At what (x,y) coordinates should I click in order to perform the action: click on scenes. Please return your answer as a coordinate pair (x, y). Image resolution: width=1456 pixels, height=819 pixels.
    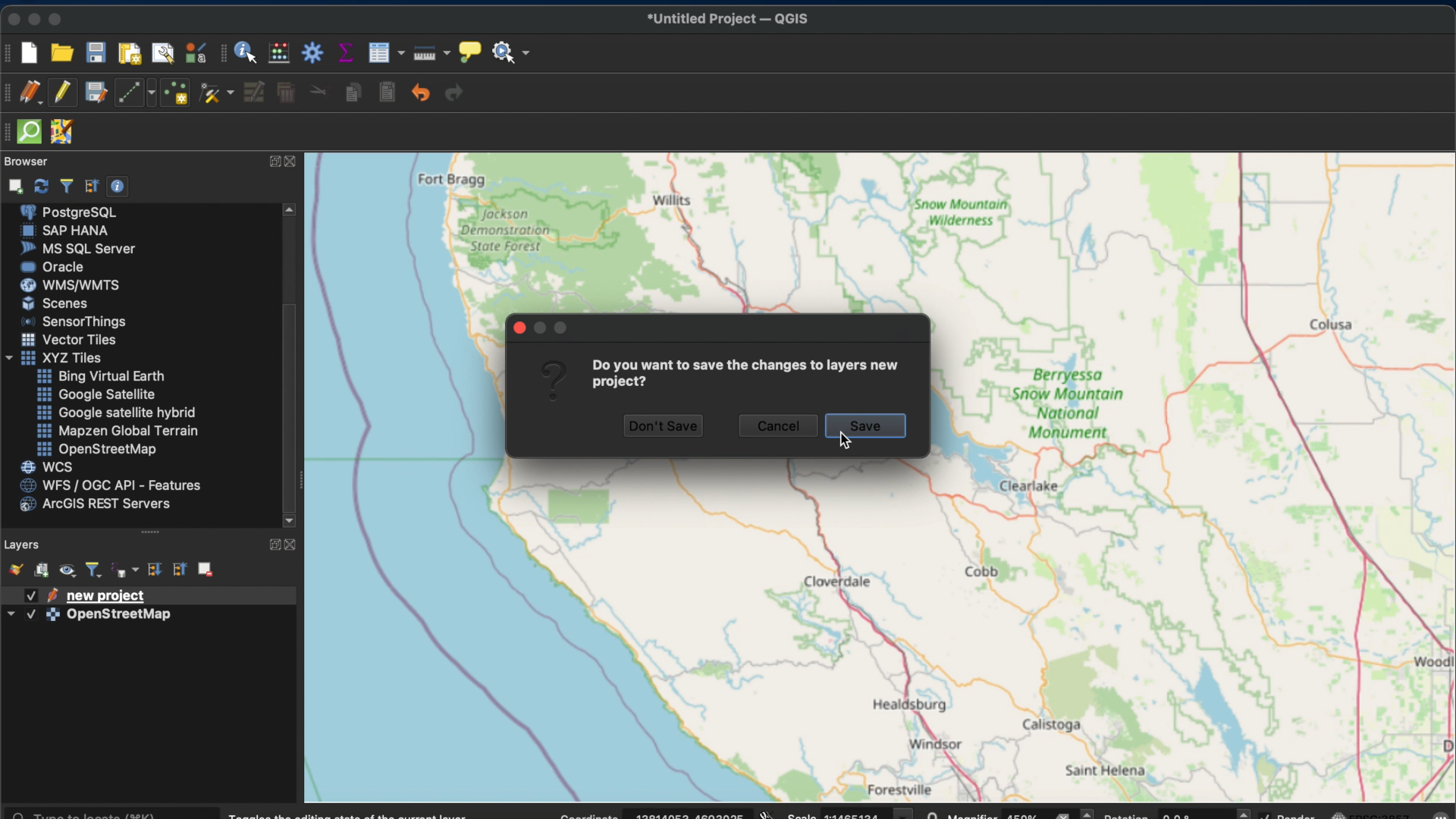
    Looking at the image, I should click on (54, 303).